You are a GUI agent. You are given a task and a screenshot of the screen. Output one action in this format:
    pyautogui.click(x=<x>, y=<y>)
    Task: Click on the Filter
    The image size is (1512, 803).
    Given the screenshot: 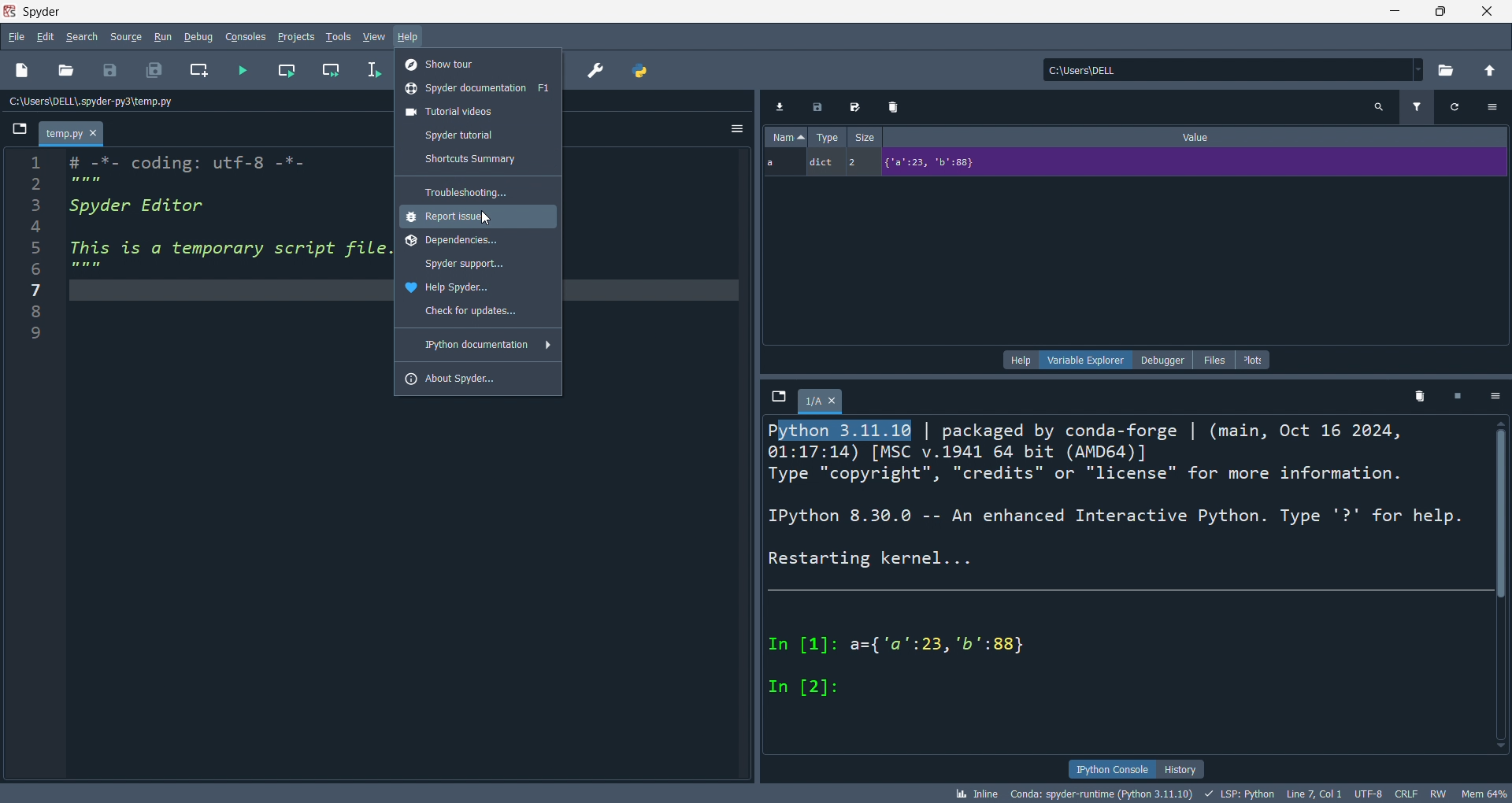 What is the action you would take?
    pyautogui.click(x=1417, y=107)
    